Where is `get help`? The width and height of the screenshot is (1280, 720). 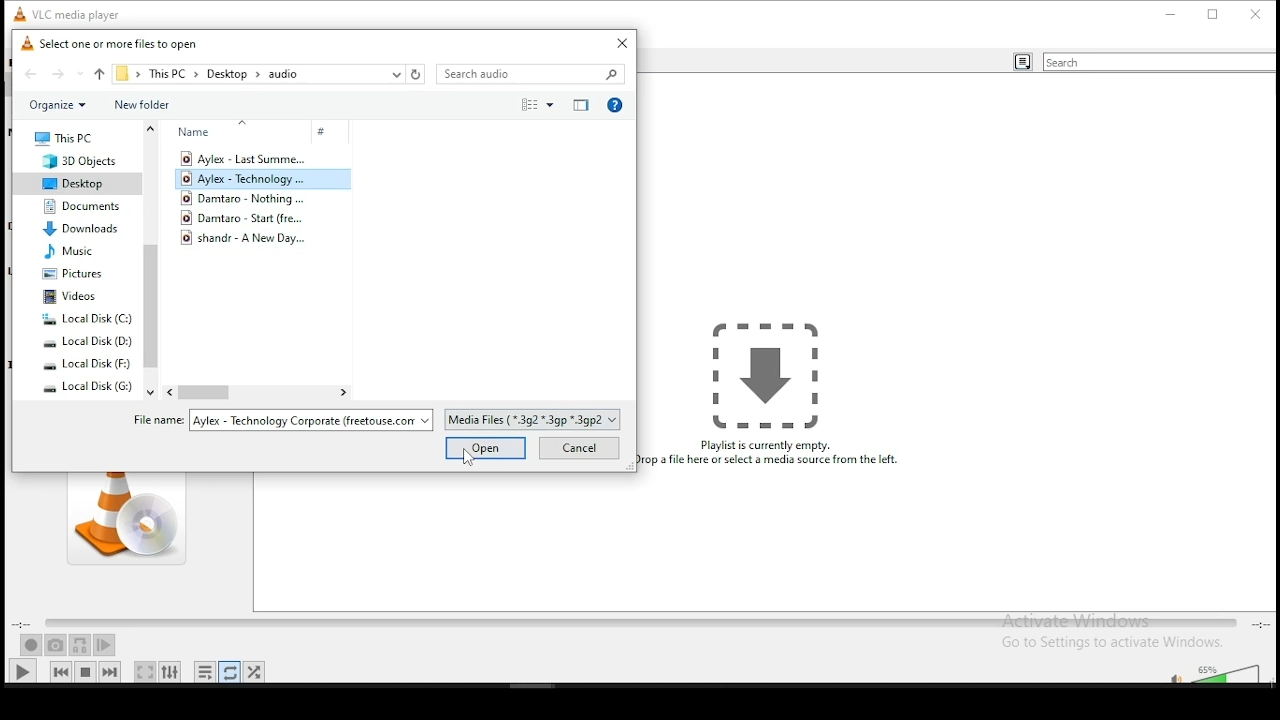
get help is located at coordinates (616, 104).